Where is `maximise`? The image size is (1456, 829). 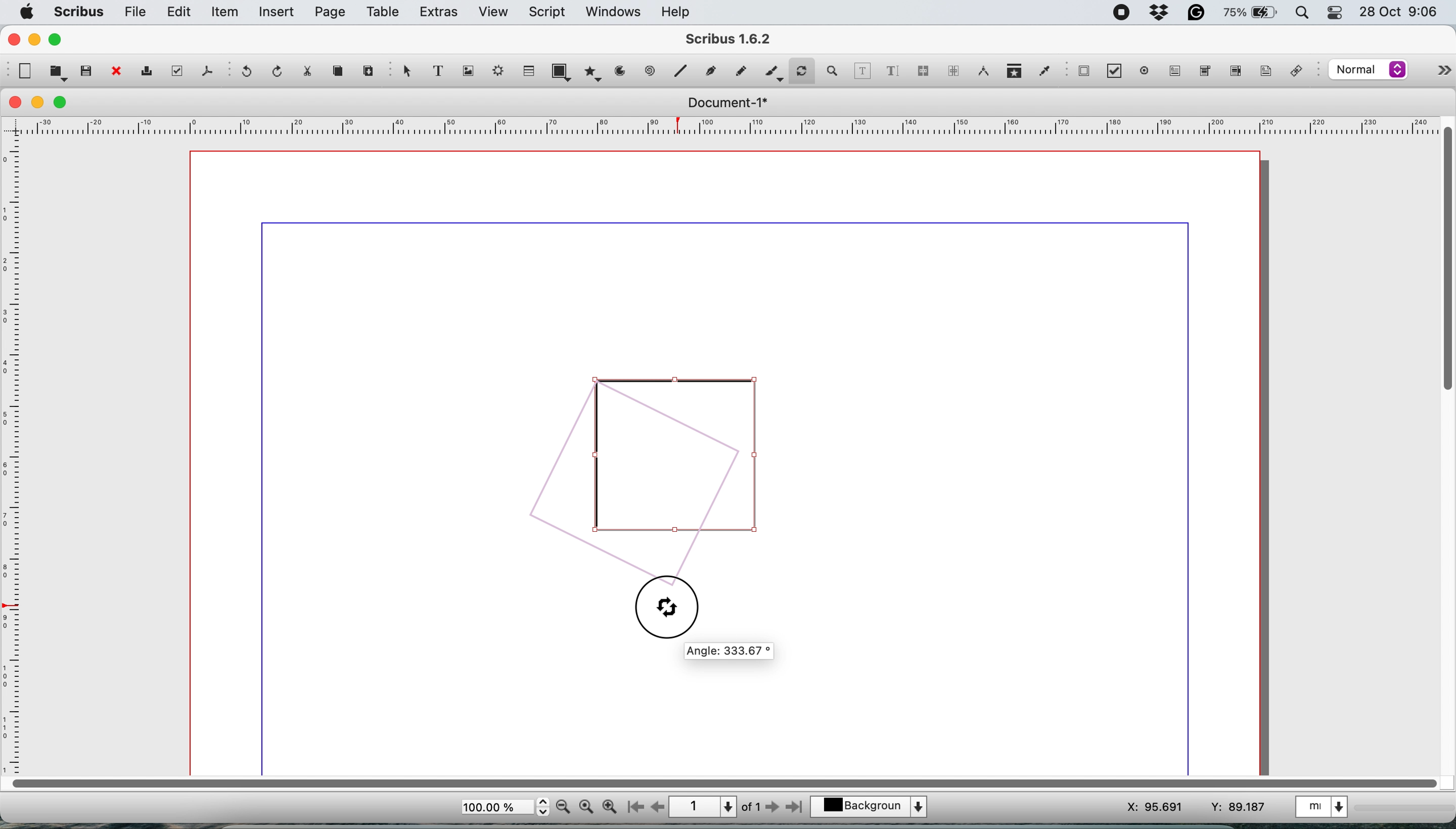 maximise is located at coordinates (63, 102).